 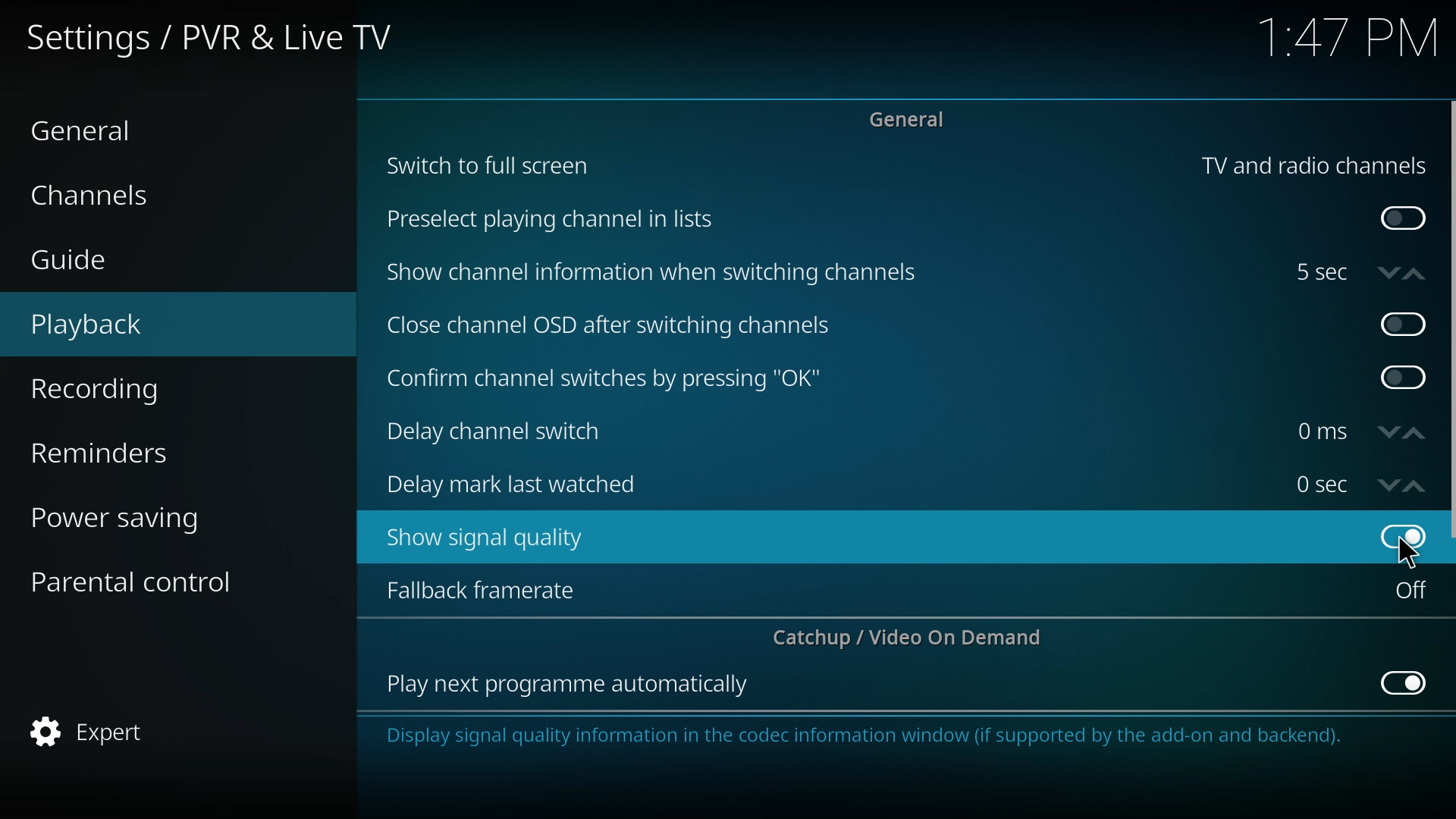 What do you see at coordinates (107, 129) in the screenshot?
I see `general` at bounding box center [107, 129].